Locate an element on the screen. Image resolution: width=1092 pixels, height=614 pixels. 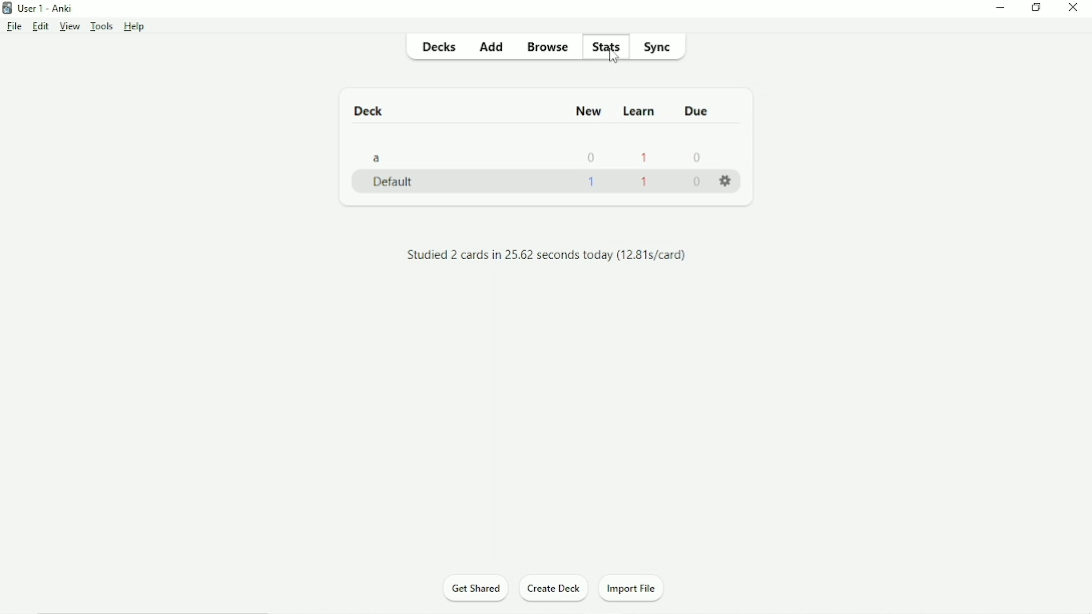
1 is located at coordinates (588, 181).